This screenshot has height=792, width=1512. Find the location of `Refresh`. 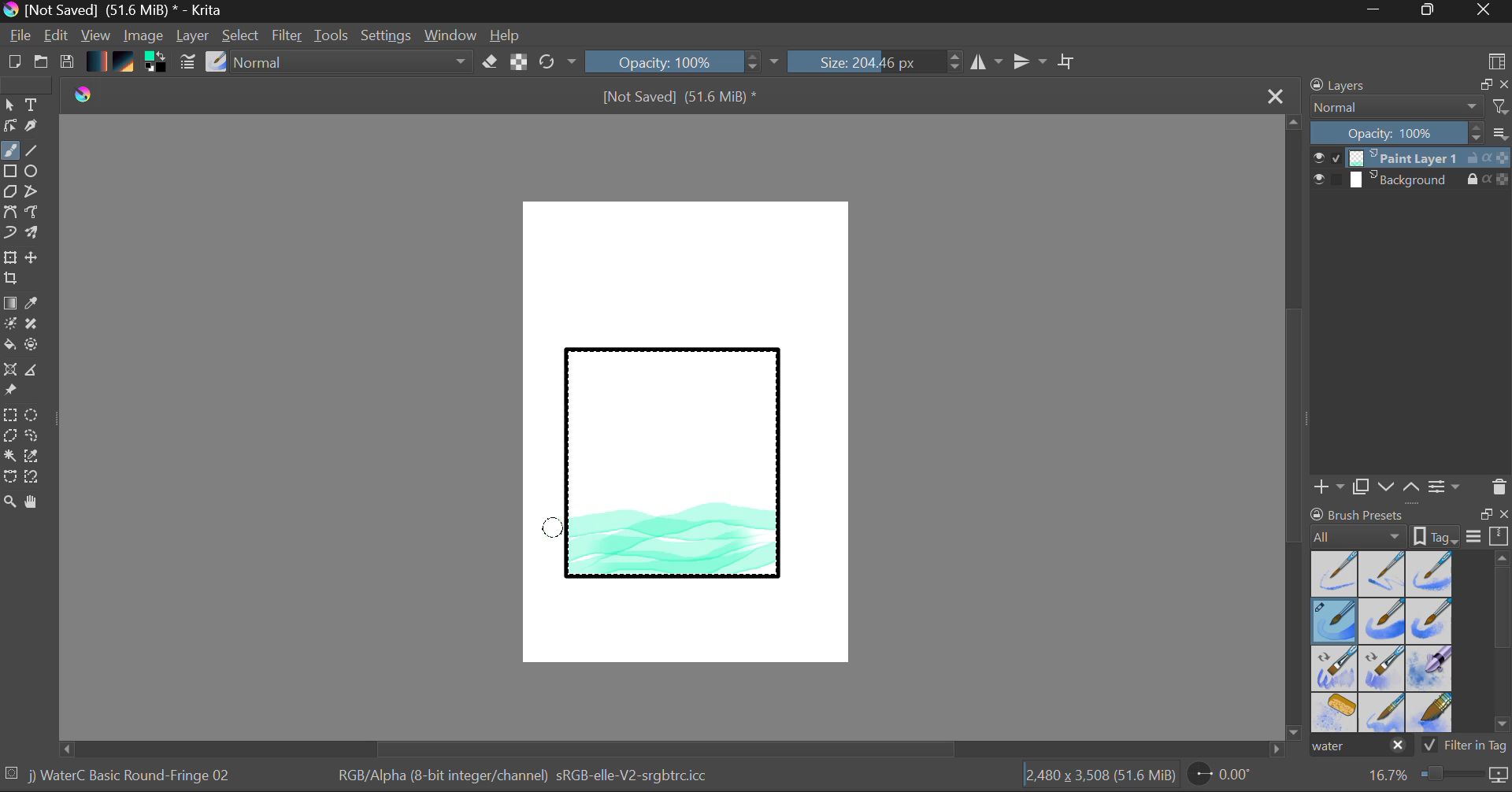

Refresh is located at coordinates (558, 61).